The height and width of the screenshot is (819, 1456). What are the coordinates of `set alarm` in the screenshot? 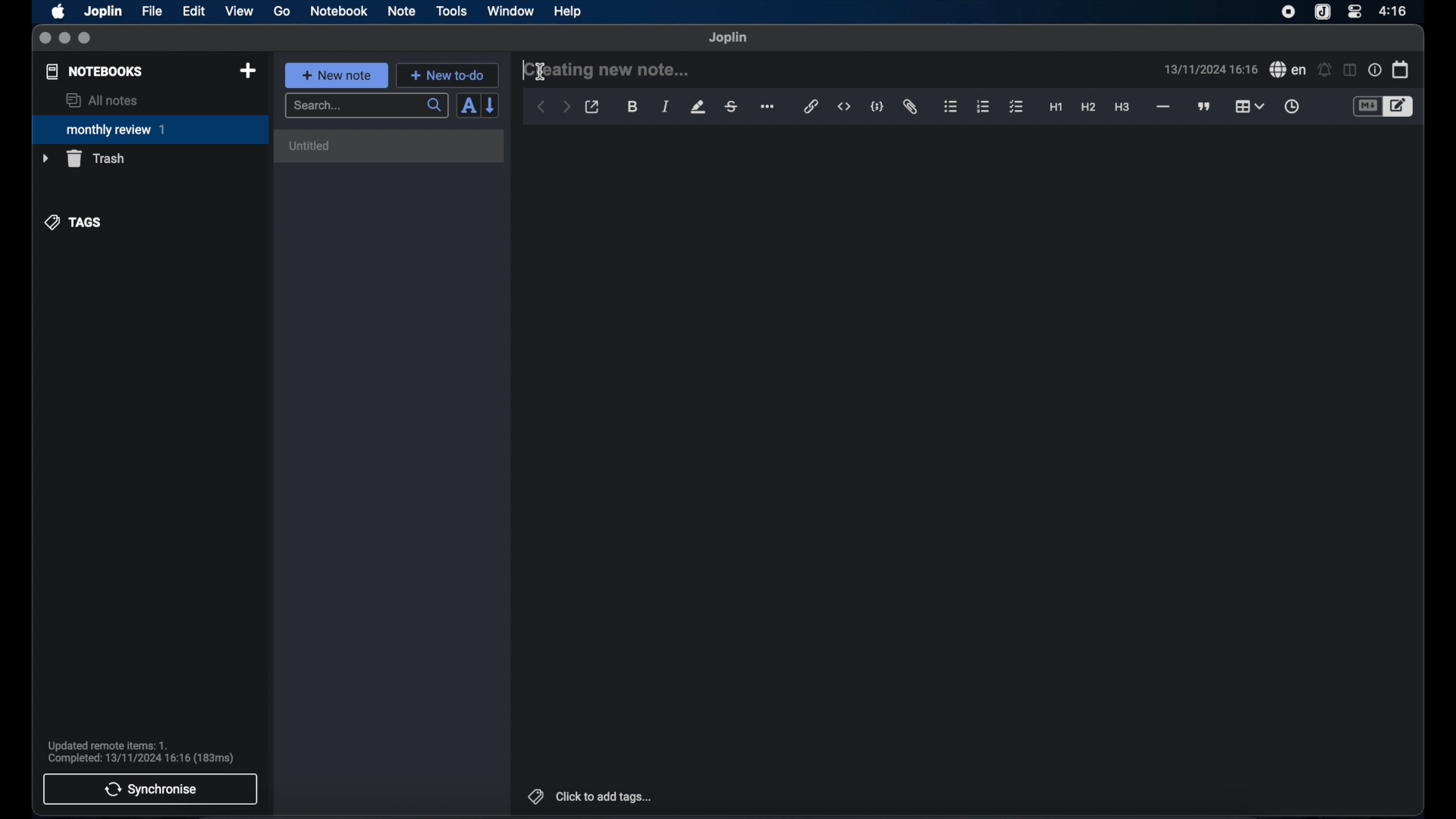 It's located at (1325, 71).